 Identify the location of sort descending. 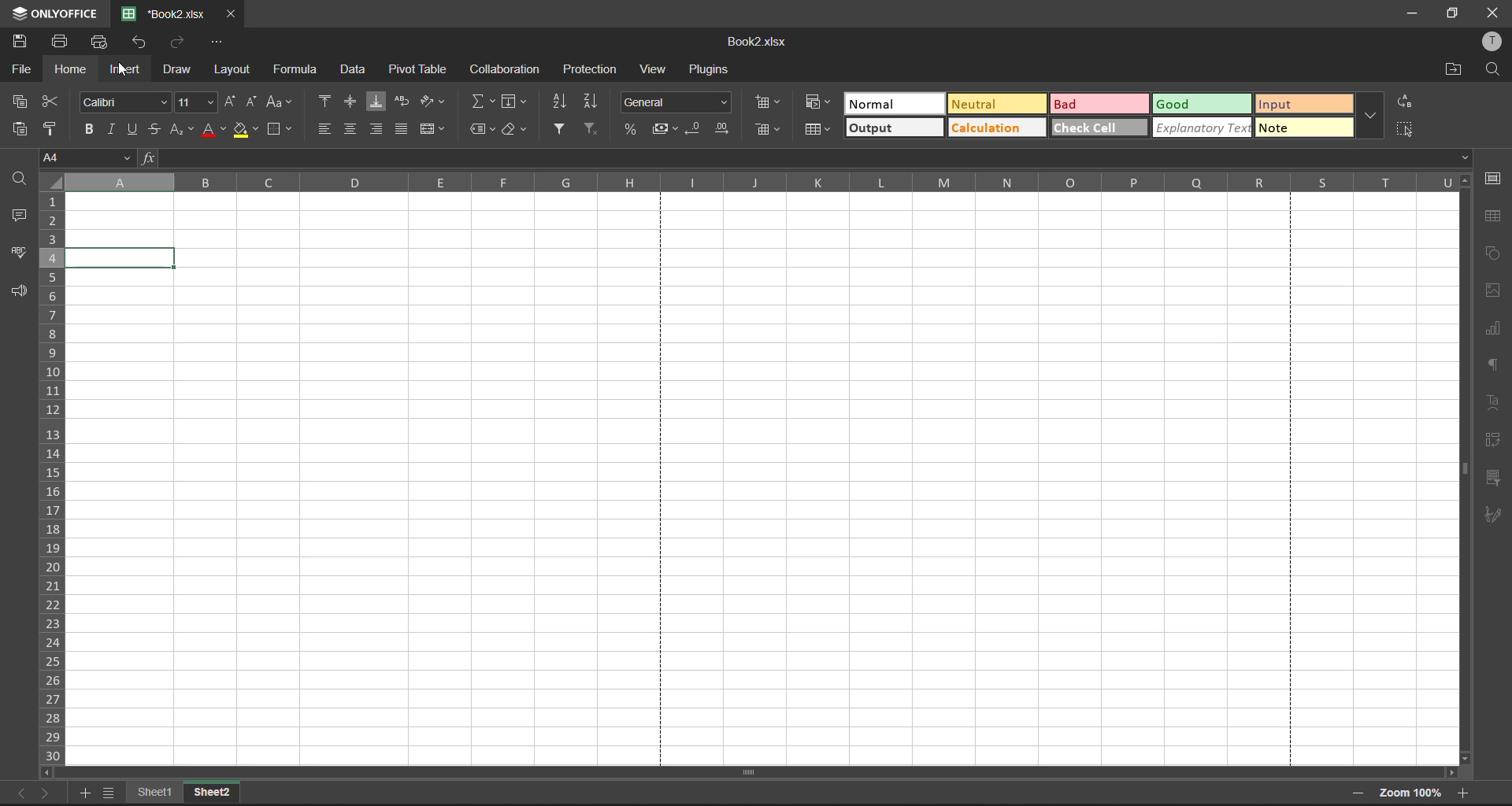
(596, 102).